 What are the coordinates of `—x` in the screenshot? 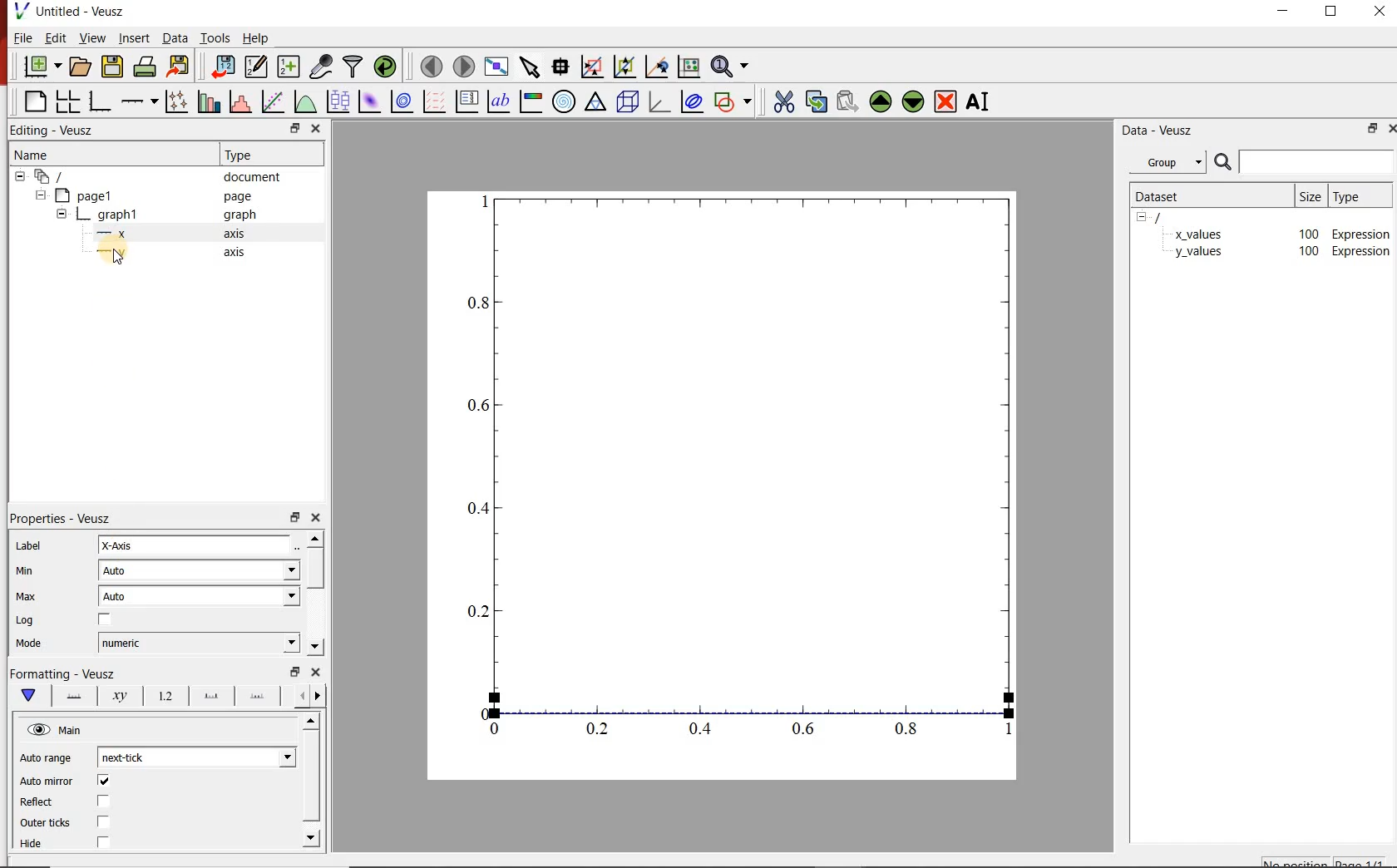 It's located at (116, 232).